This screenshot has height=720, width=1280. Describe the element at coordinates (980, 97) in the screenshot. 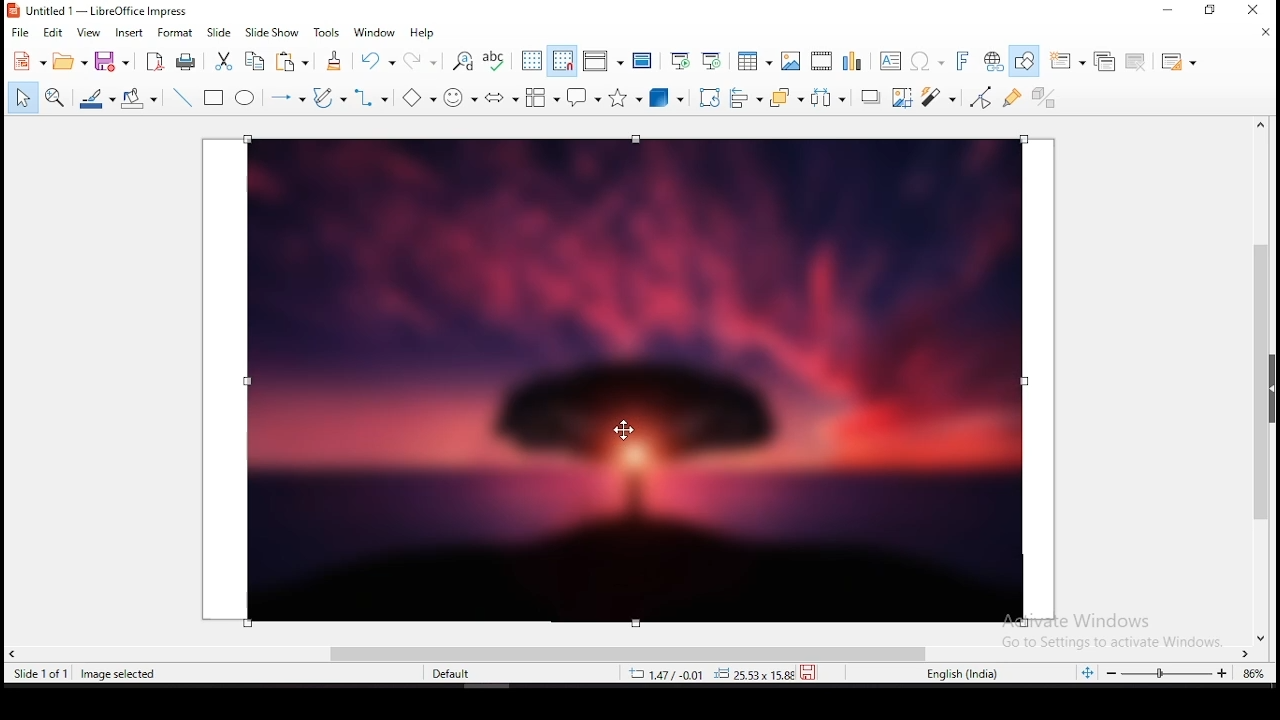

I see `toggle point edit mode` at that location.